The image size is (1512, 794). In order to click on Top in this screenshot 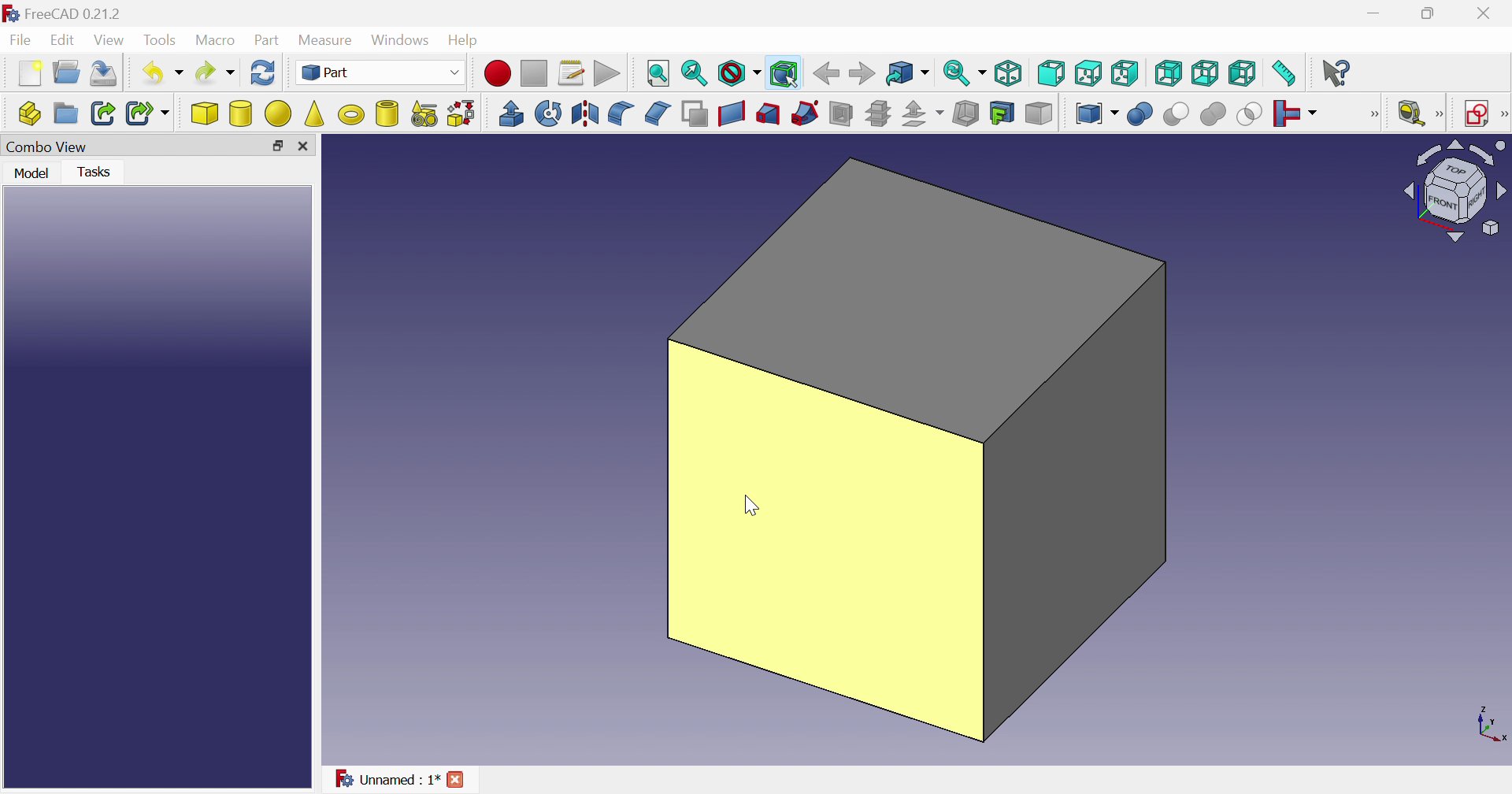, I will do `click(1090, 74)`.